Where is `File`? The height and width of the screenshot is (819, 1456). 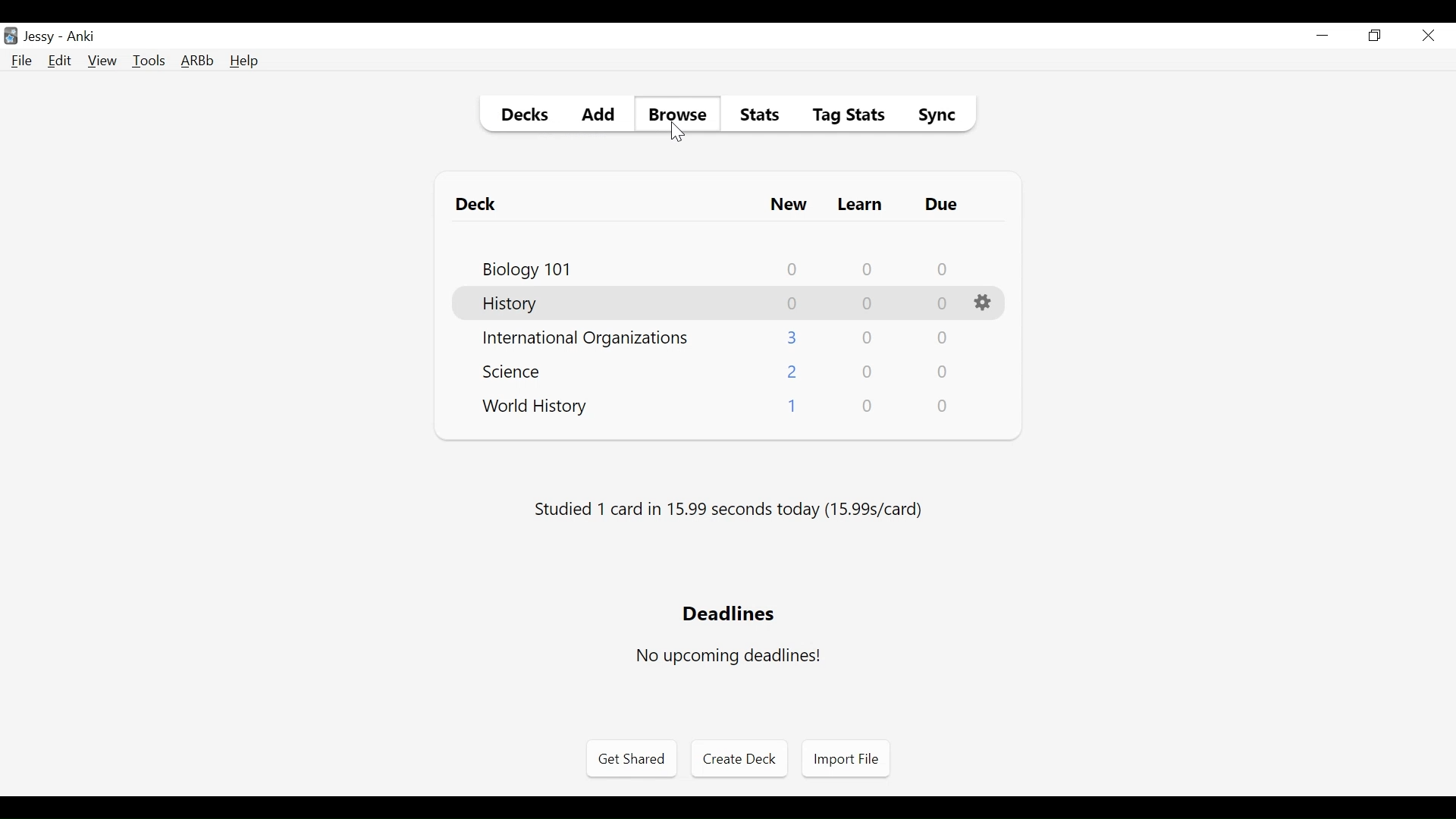 File is located at coordinates (25, 62).